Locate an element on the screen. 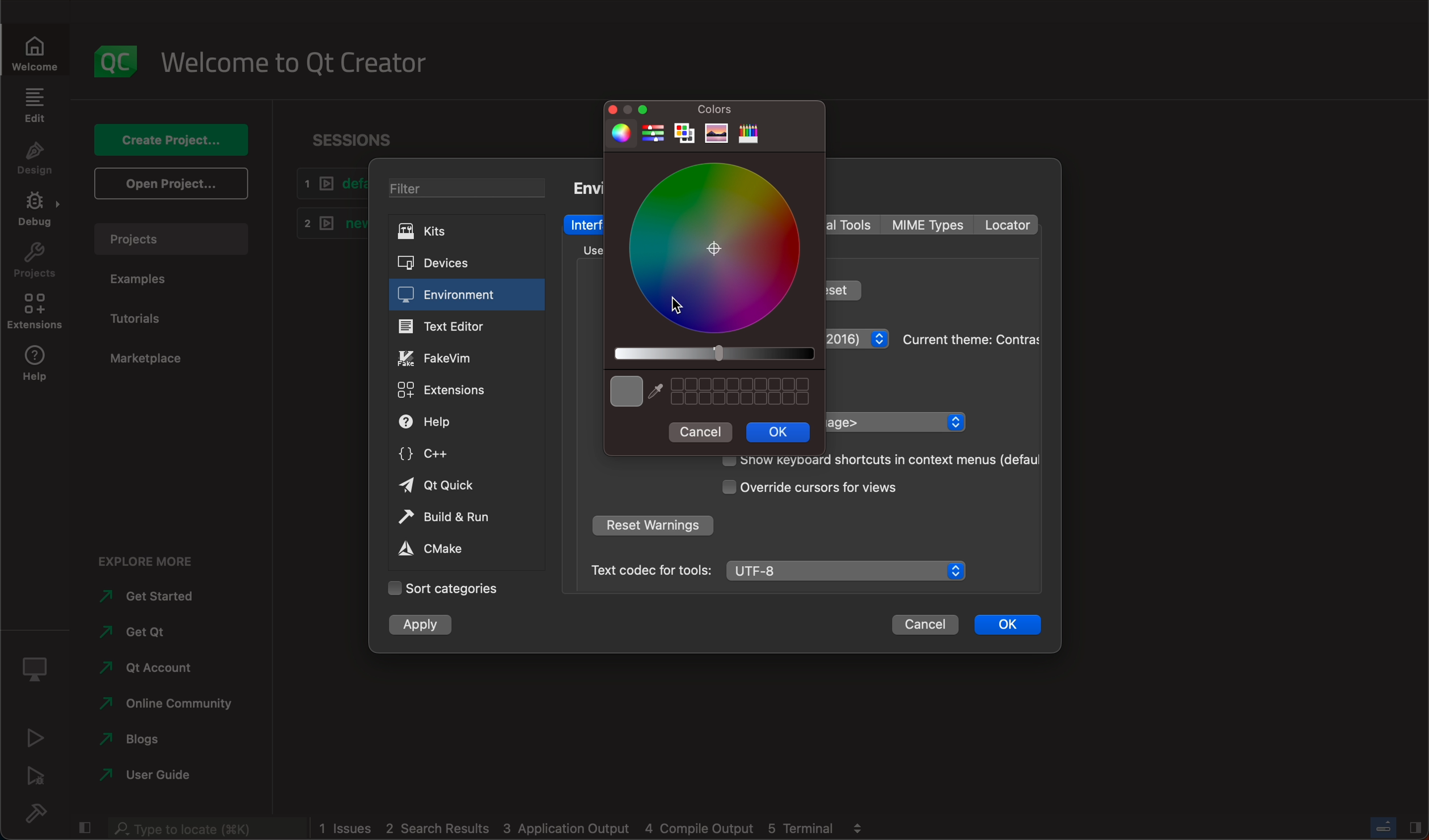  cursor is located at coordinates (683, 301).